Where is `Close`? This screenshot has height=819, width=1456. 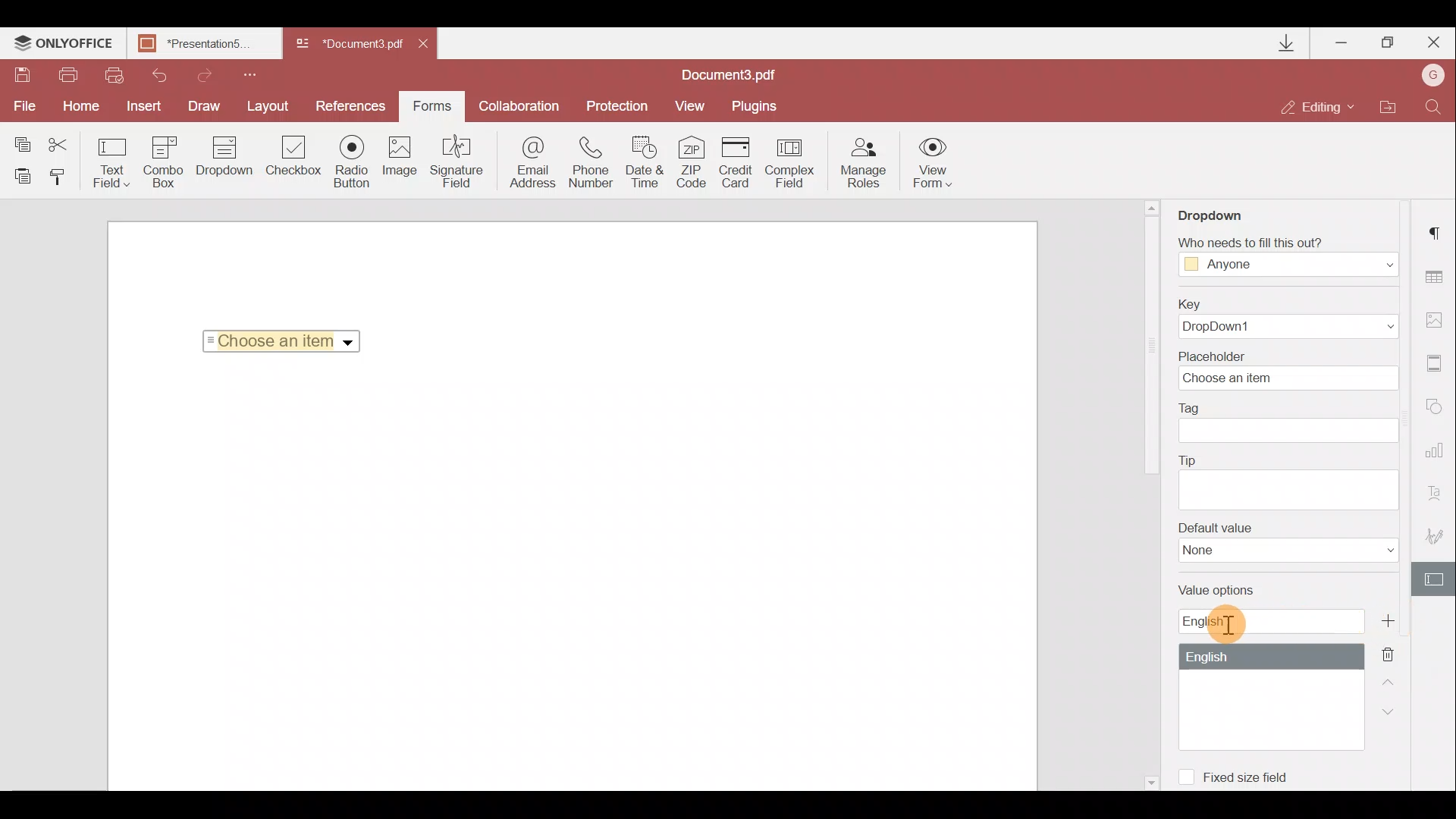
Close is located at coordinates (428, 41).